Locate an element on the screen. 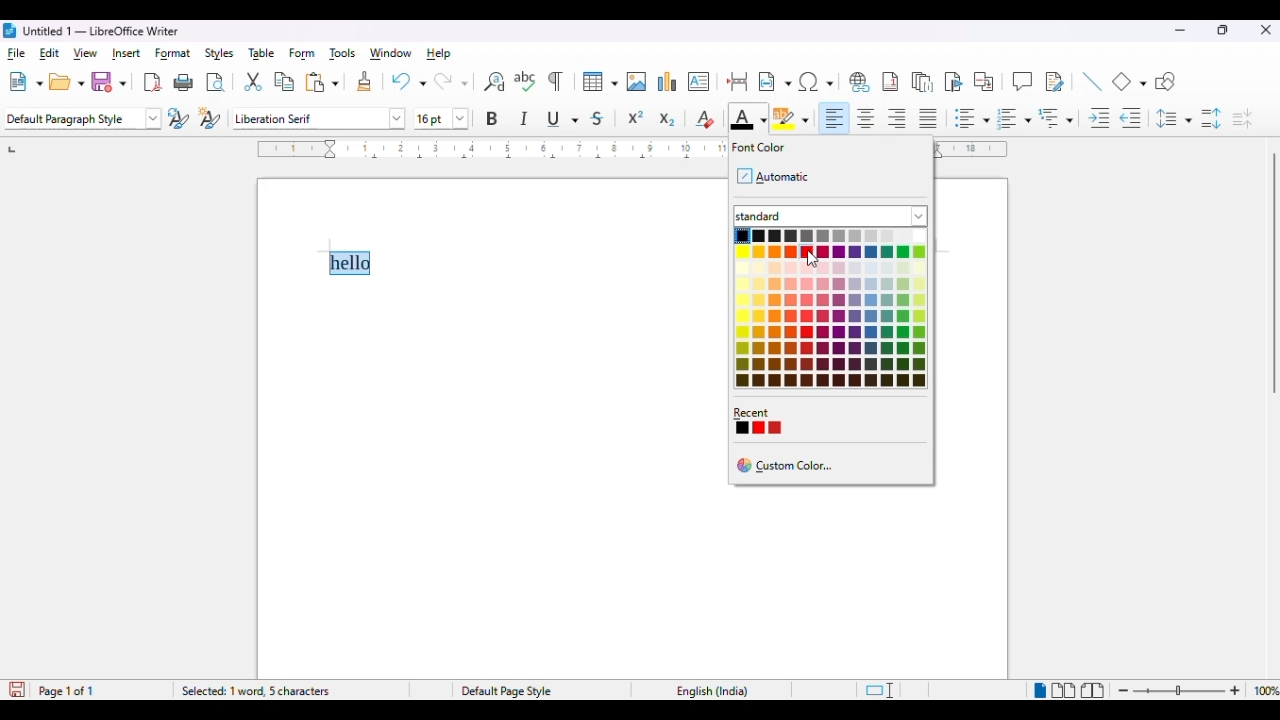 This screenshot has width=1280, height=720. italic is located at coordinates (524, 117).